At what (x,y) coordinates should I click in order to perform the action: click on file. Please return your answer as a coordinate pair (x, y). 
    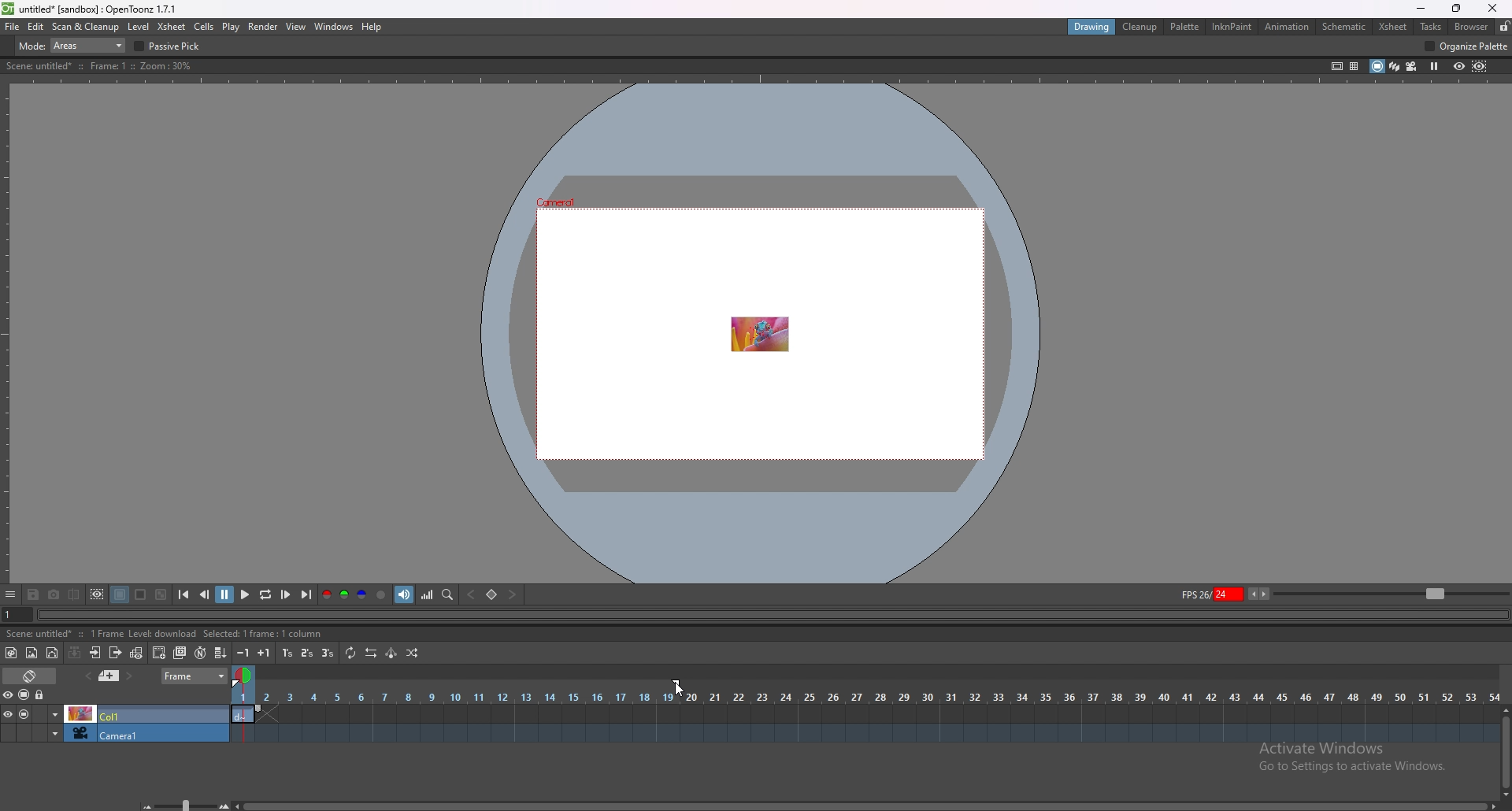
    Looking at the image, I should click on (13, 27).